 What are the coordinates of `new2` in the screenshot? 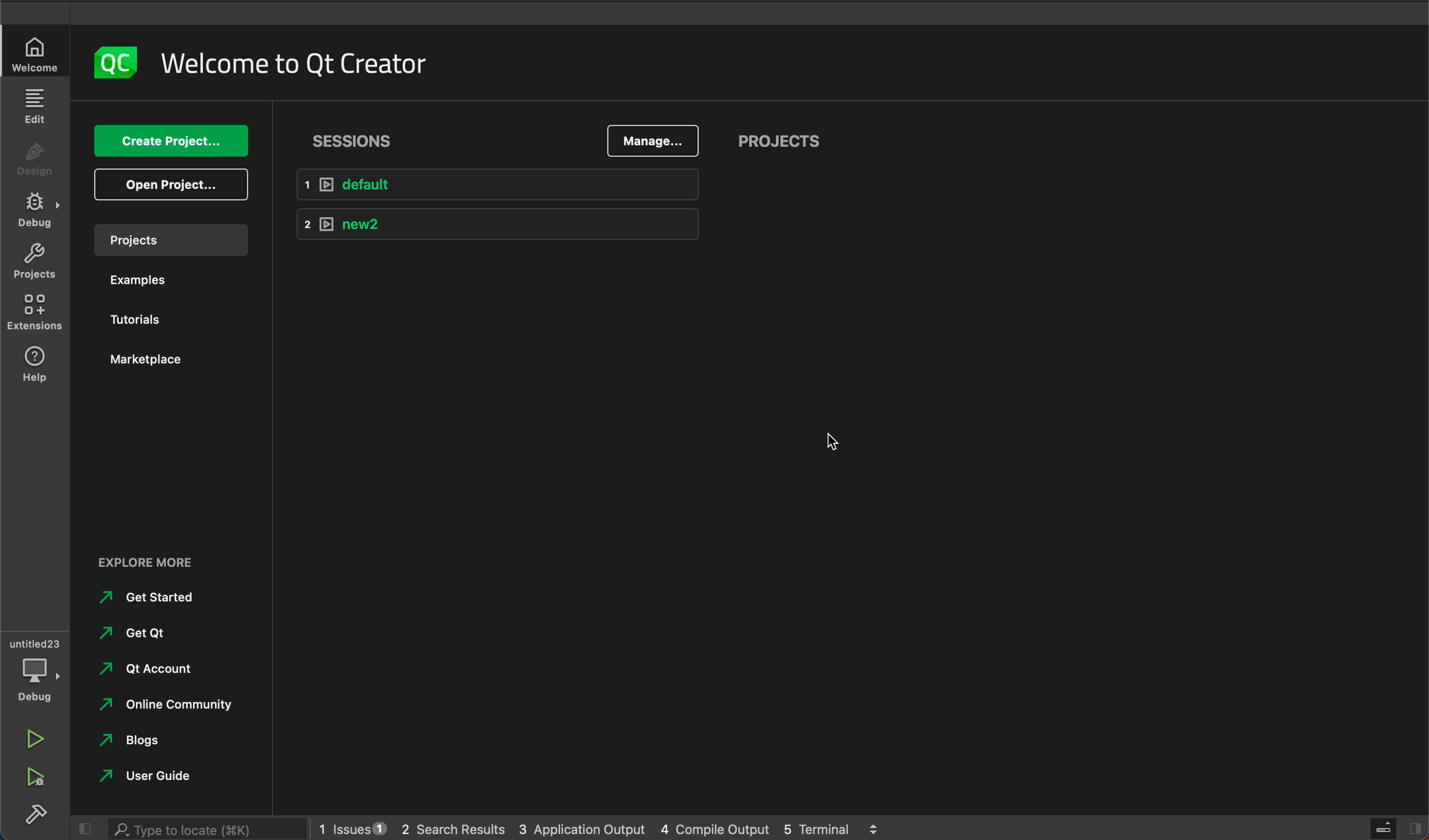 It's located at (503, 223).